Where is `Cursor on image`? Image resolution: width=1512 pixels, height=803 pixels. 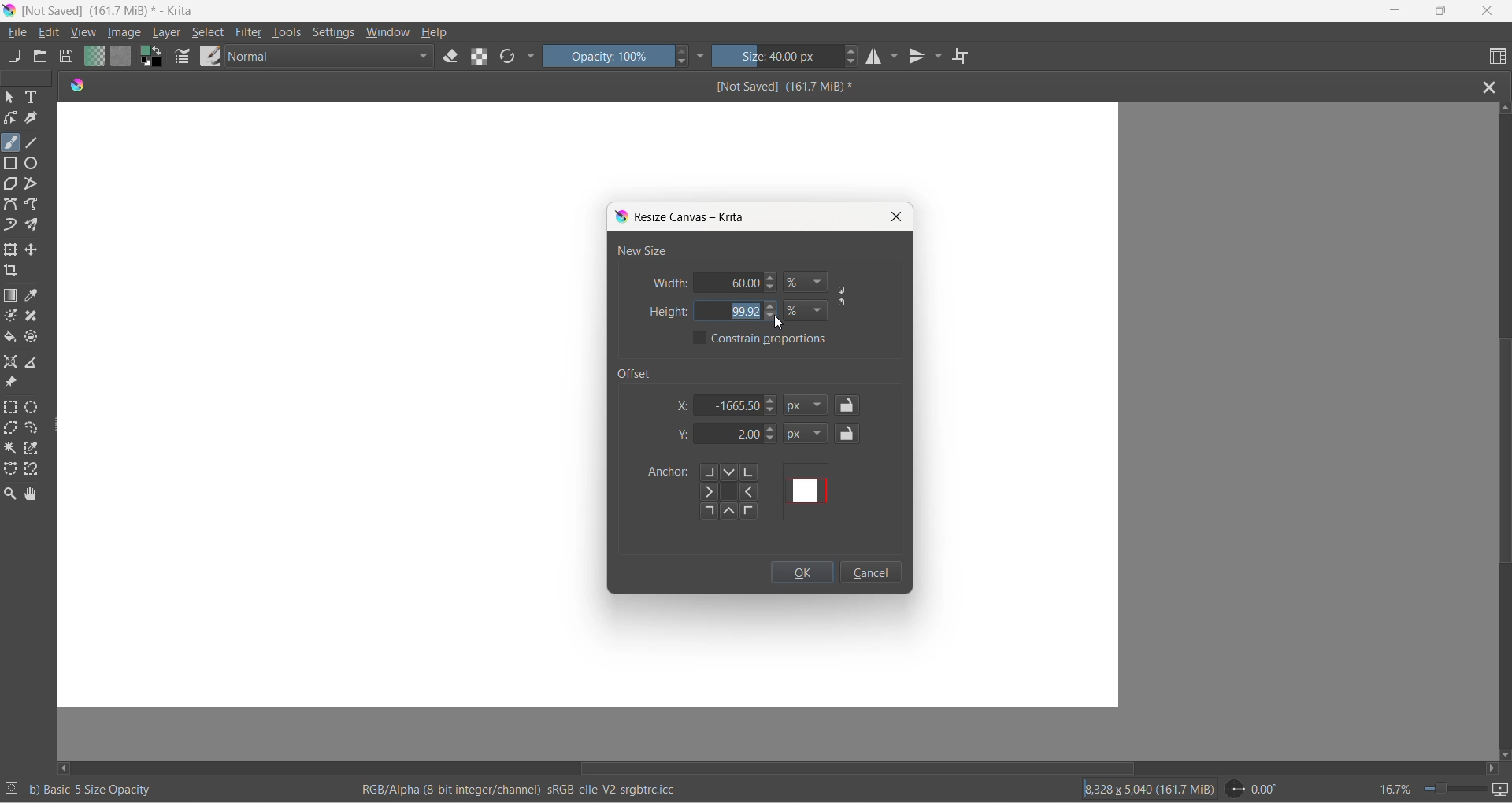 Cursor on image is located at coordinates (129, 33).